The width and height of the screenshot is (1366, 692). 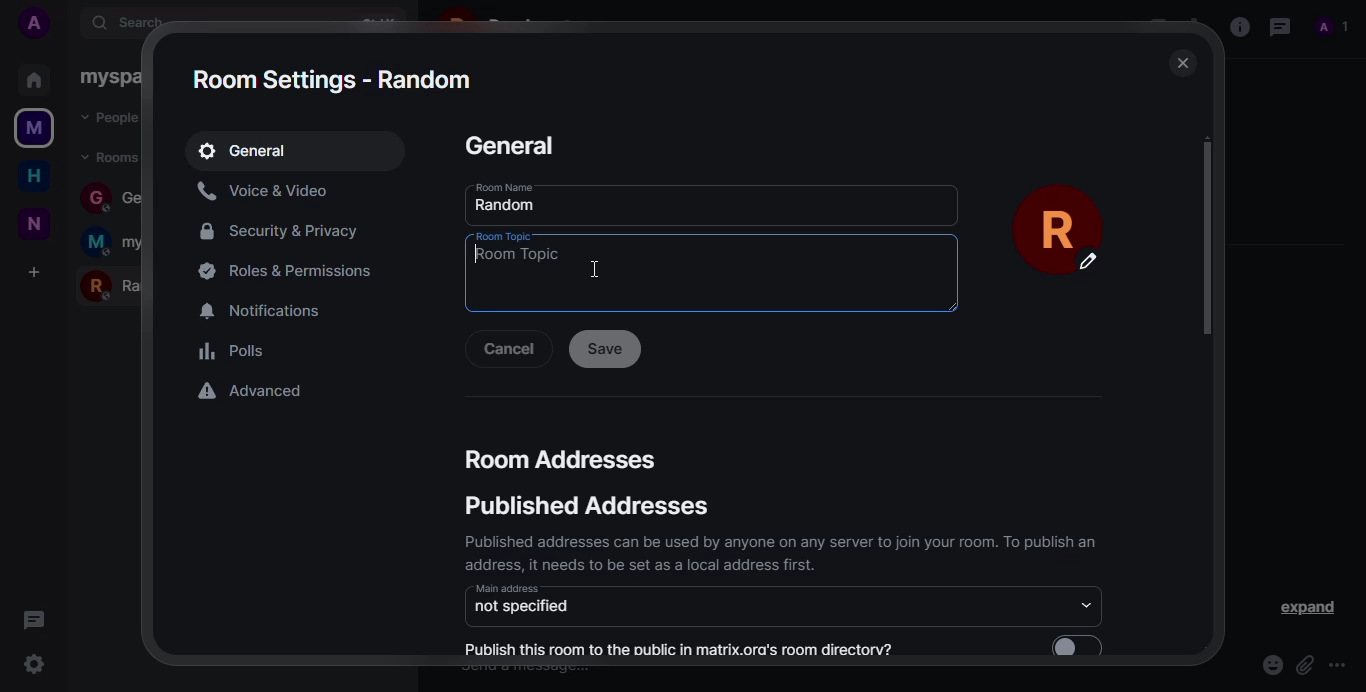 I want to click on scroll bar, so click(x=1207, y=232).